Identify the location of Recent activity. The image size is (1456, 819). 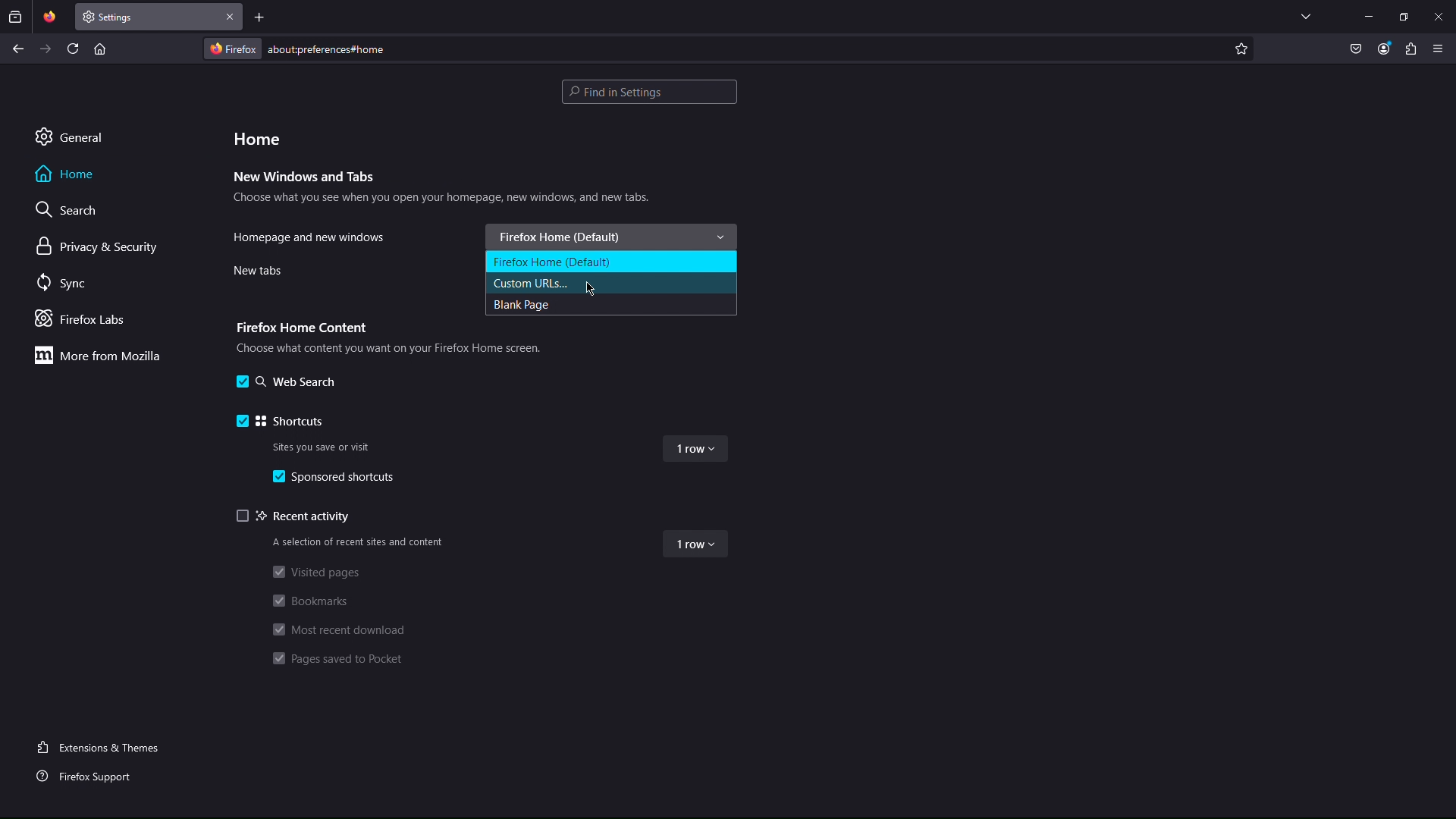
(297, 518).